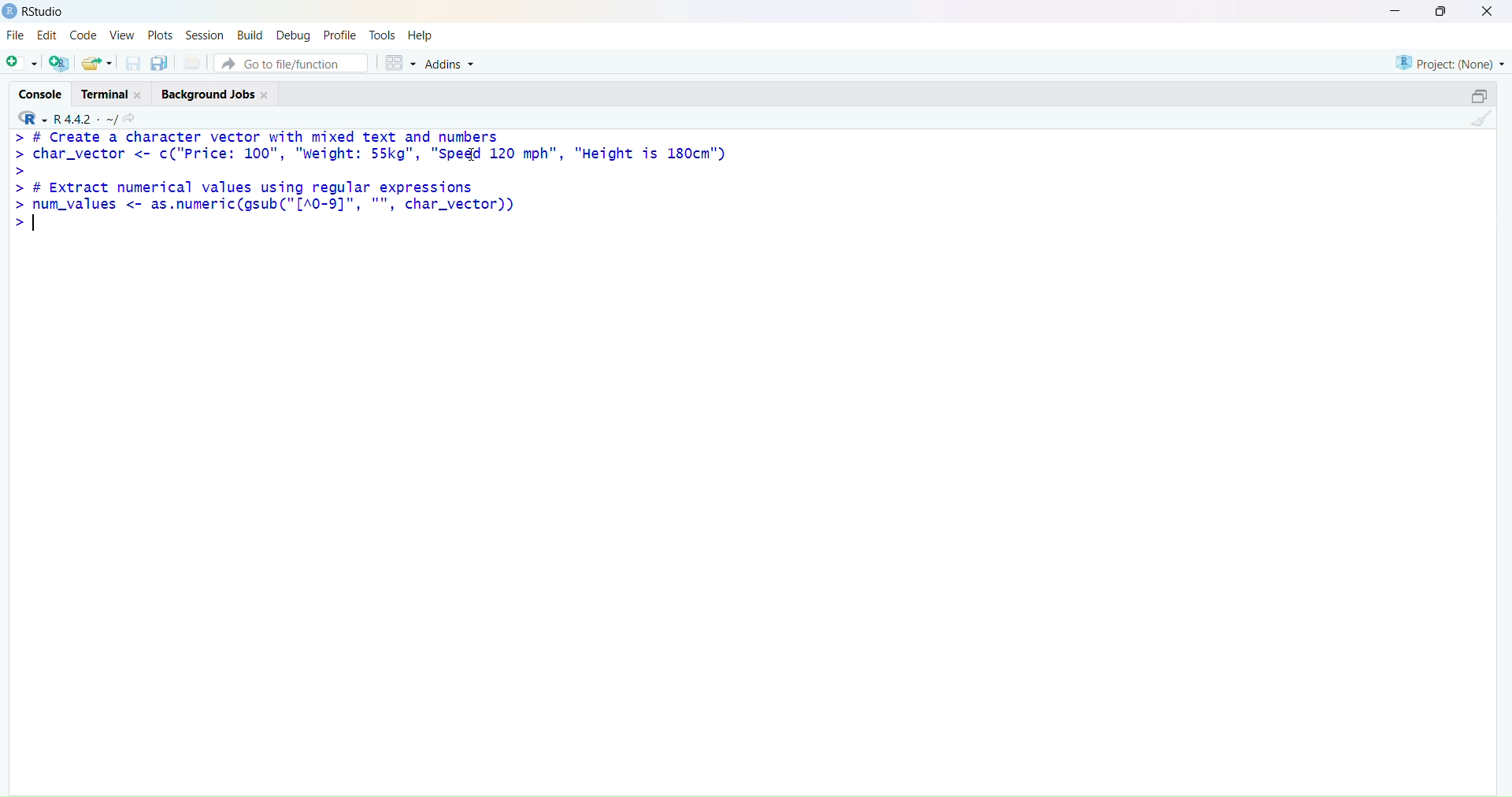  I want to click on view, so click(122, 35).